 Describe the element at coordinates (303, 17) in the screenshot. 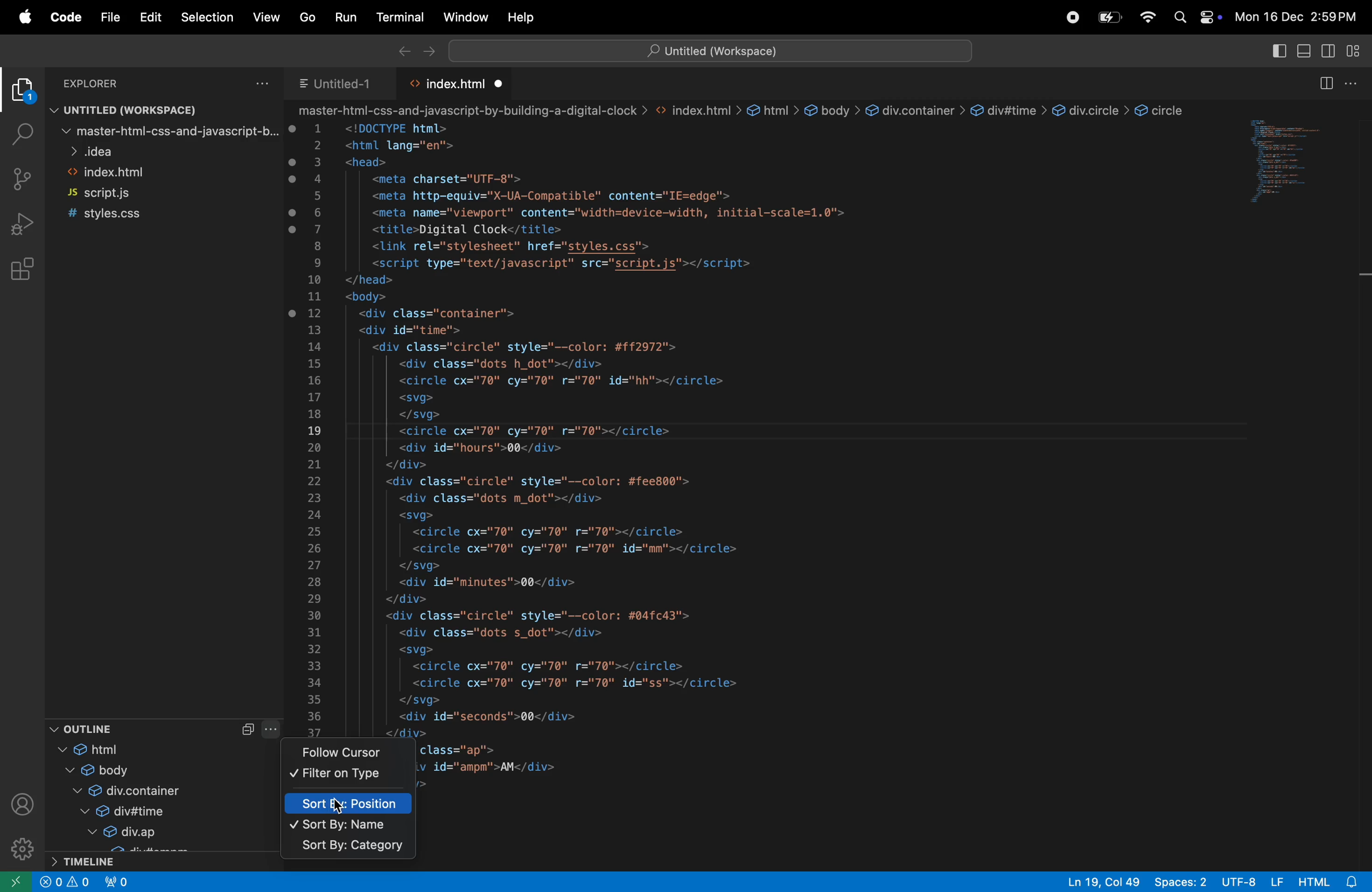

I see `Go` at that location.